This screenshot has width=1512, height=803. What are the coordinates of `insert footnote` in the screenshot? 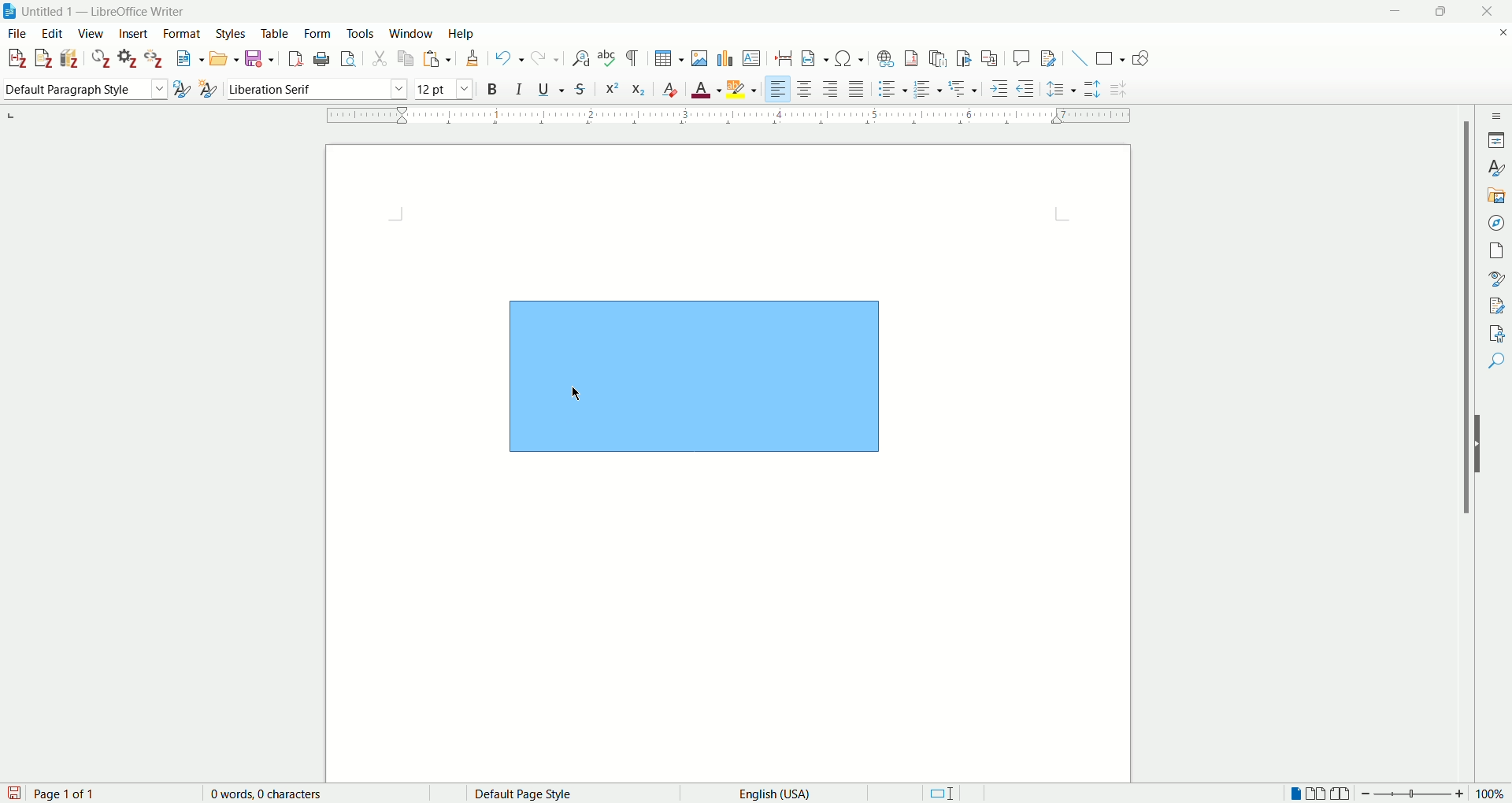 It's located at (913, 58).